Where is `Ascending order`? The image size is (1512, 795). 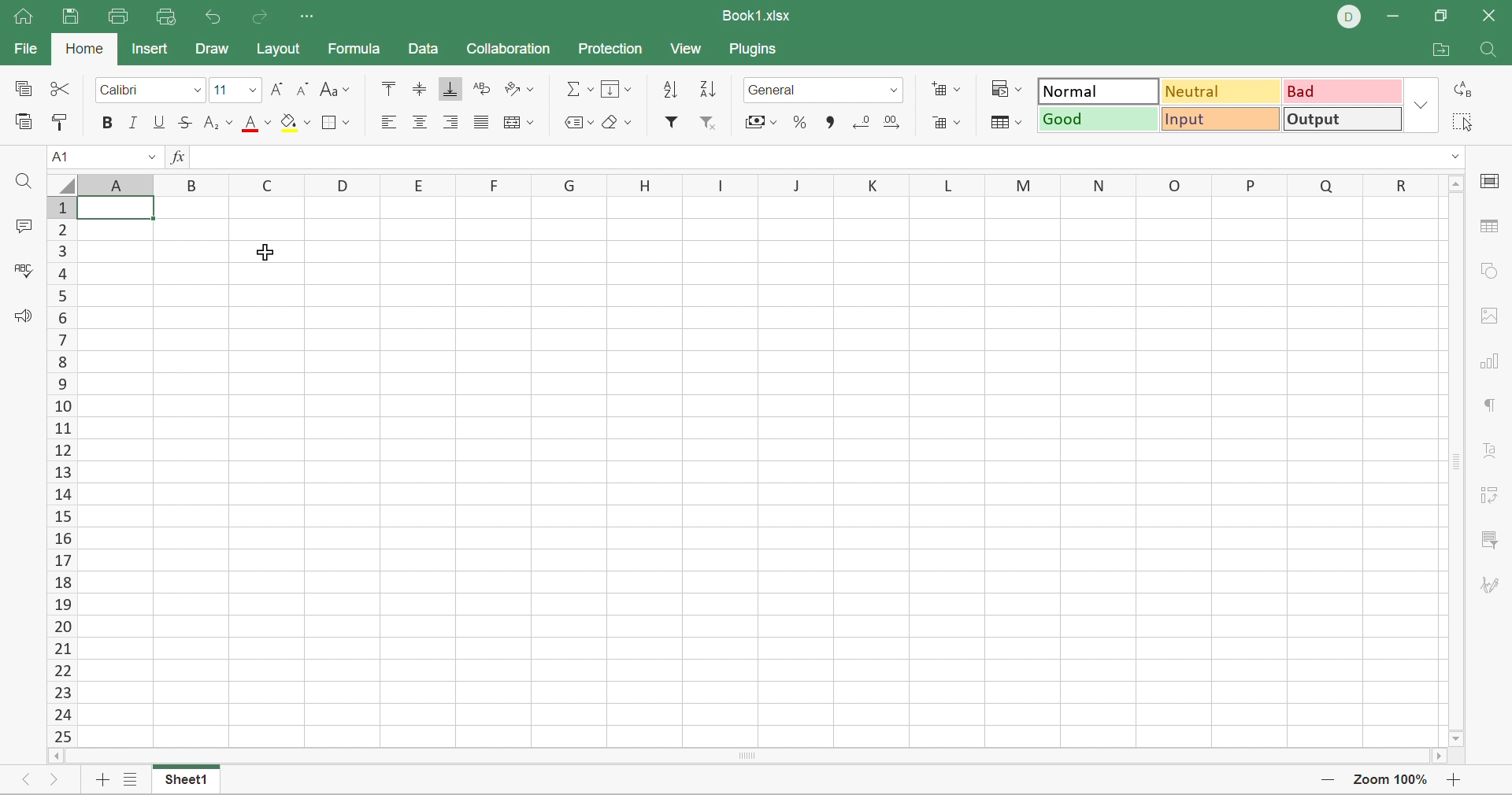
Ascending order is located at coordinates (669, 90).